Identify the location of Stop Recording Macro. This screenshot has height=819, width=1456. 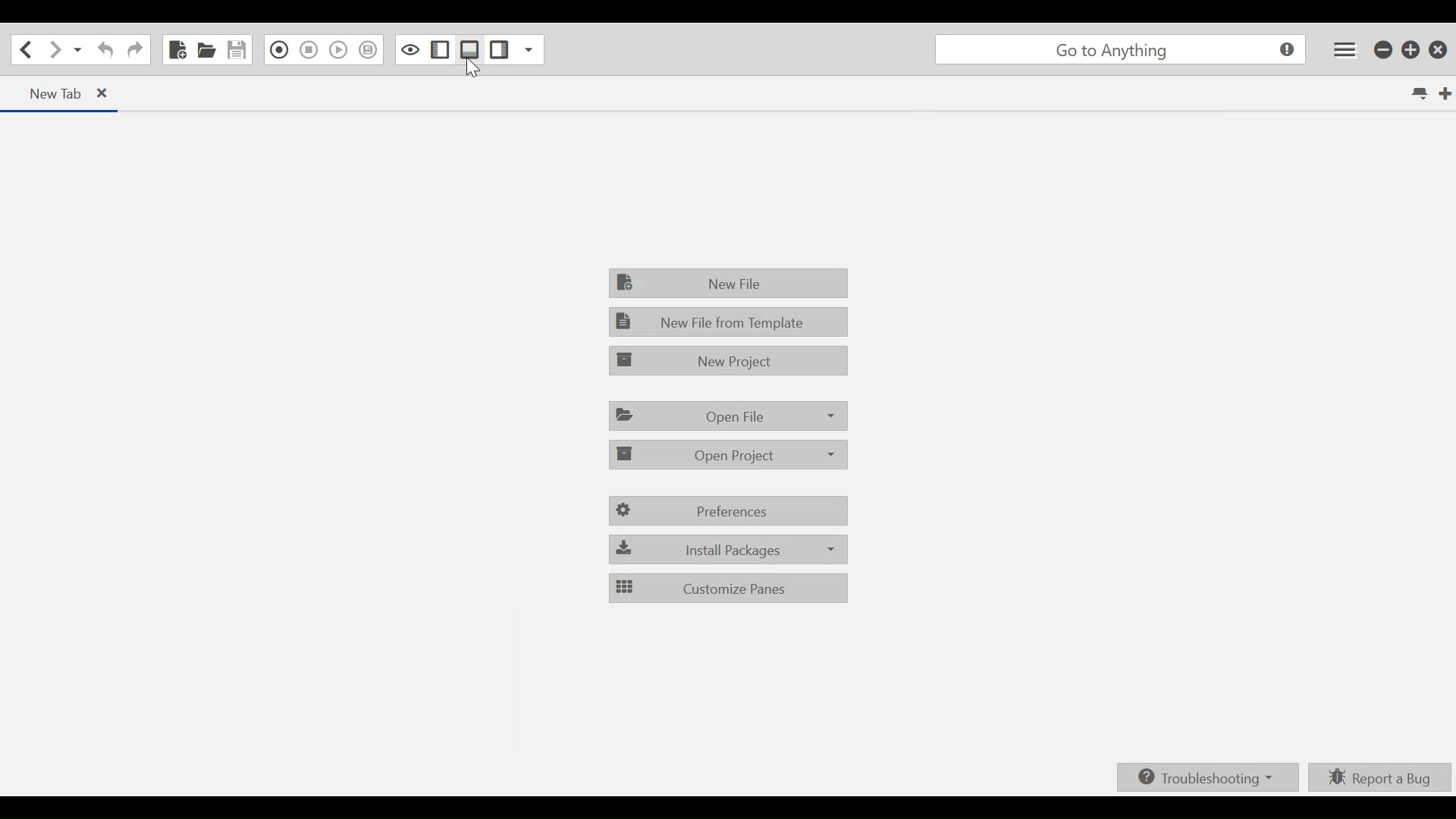
(309, 50).